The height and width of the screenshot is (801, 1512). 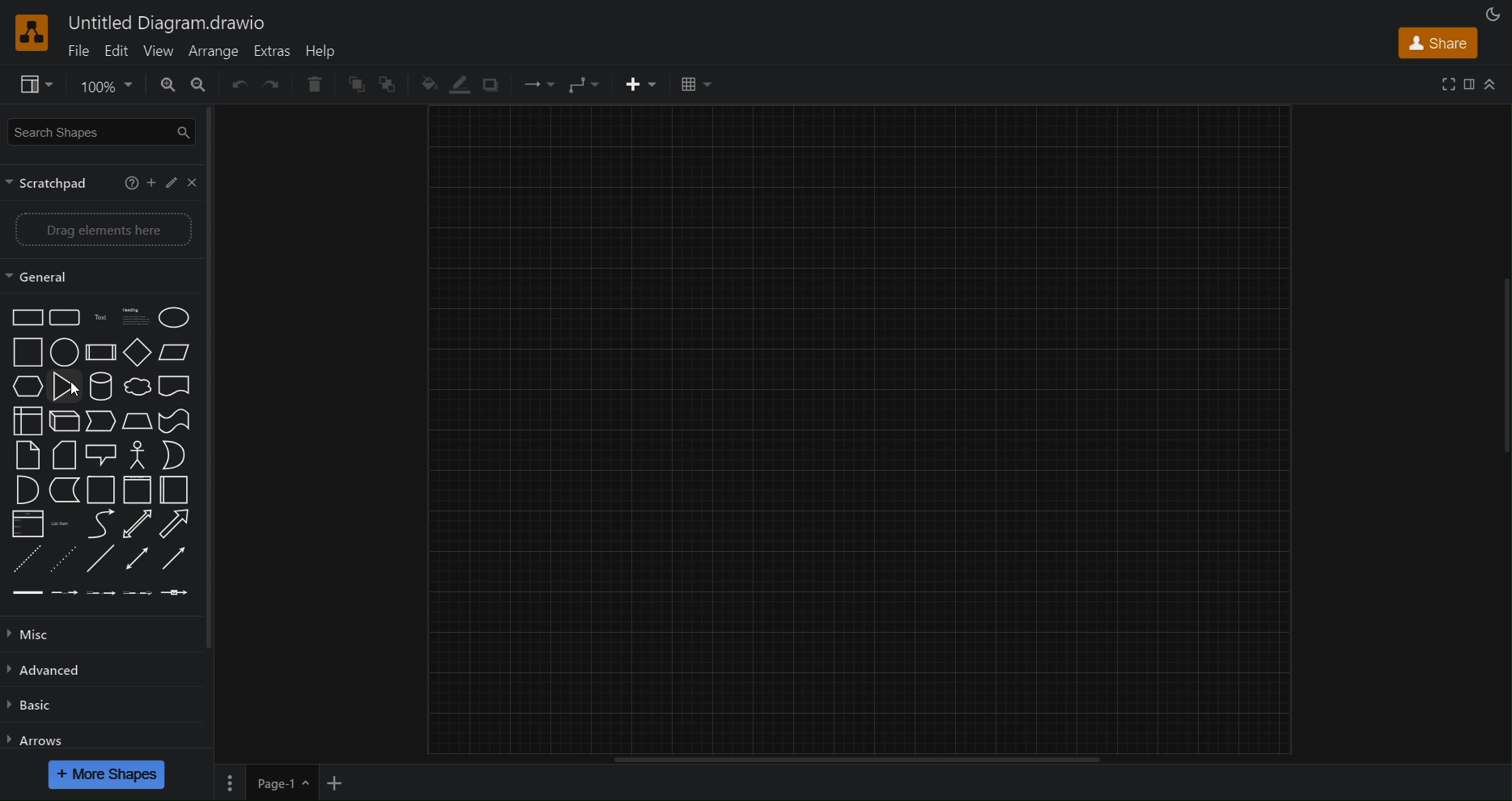 I want to click on File , so click(x=81, y=49).